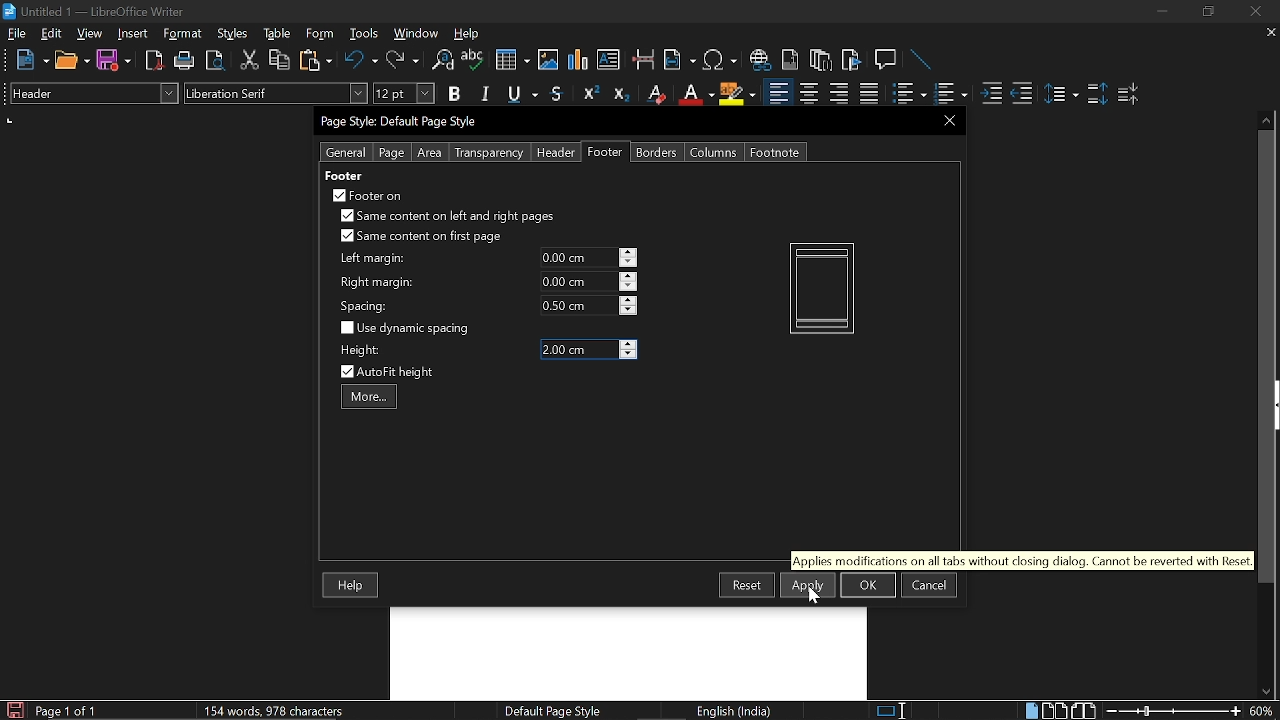 This screenshot has width=1280, height=720. What do you see at coordinates (1254, 12) in the screenshot?
I see `Close` at bounding box center [1254, 12].